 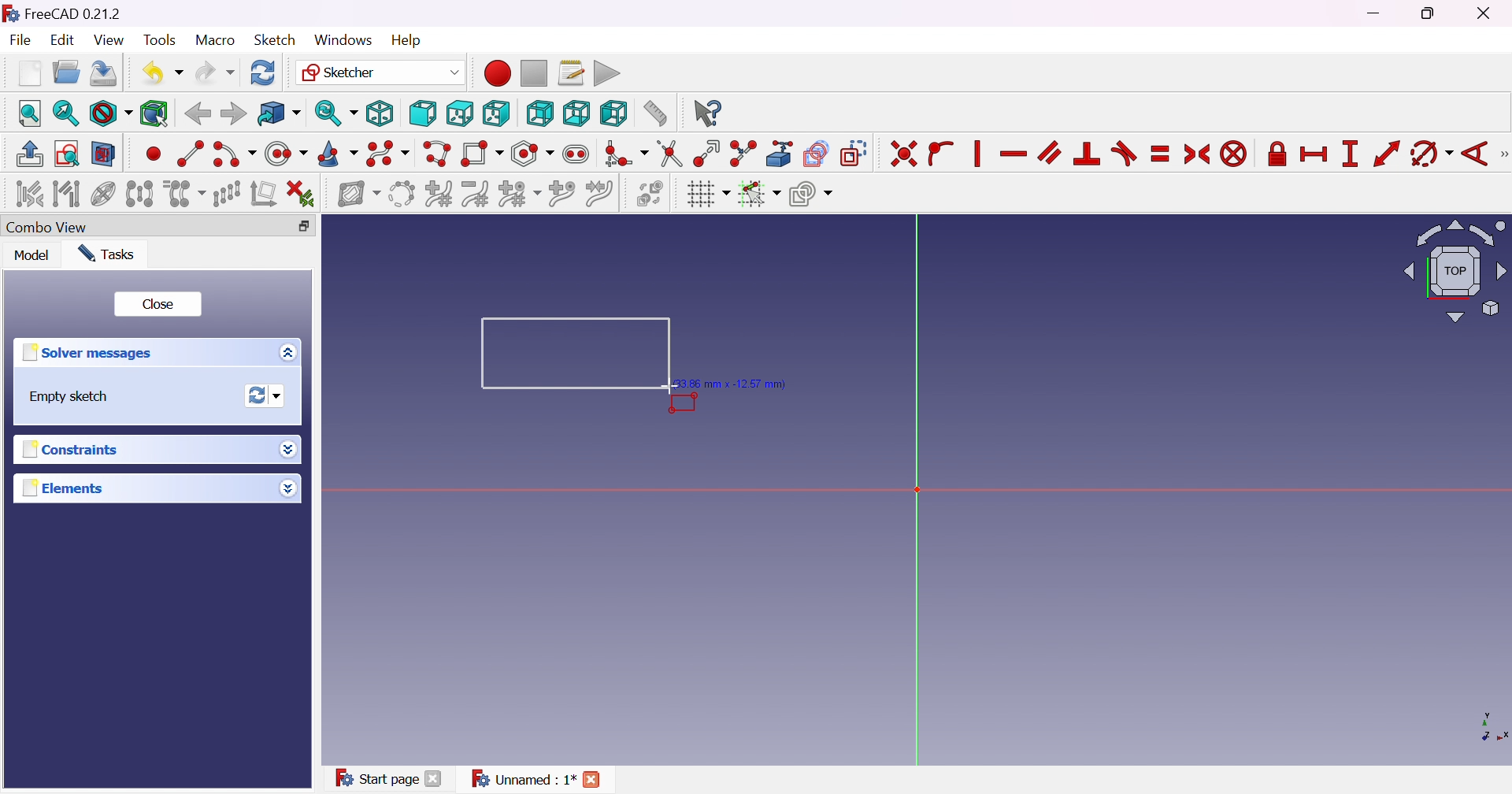 What do you see at coordinates (669, 385) in the screenshot?
I see `Cursor` at bounding box center [669, 385].